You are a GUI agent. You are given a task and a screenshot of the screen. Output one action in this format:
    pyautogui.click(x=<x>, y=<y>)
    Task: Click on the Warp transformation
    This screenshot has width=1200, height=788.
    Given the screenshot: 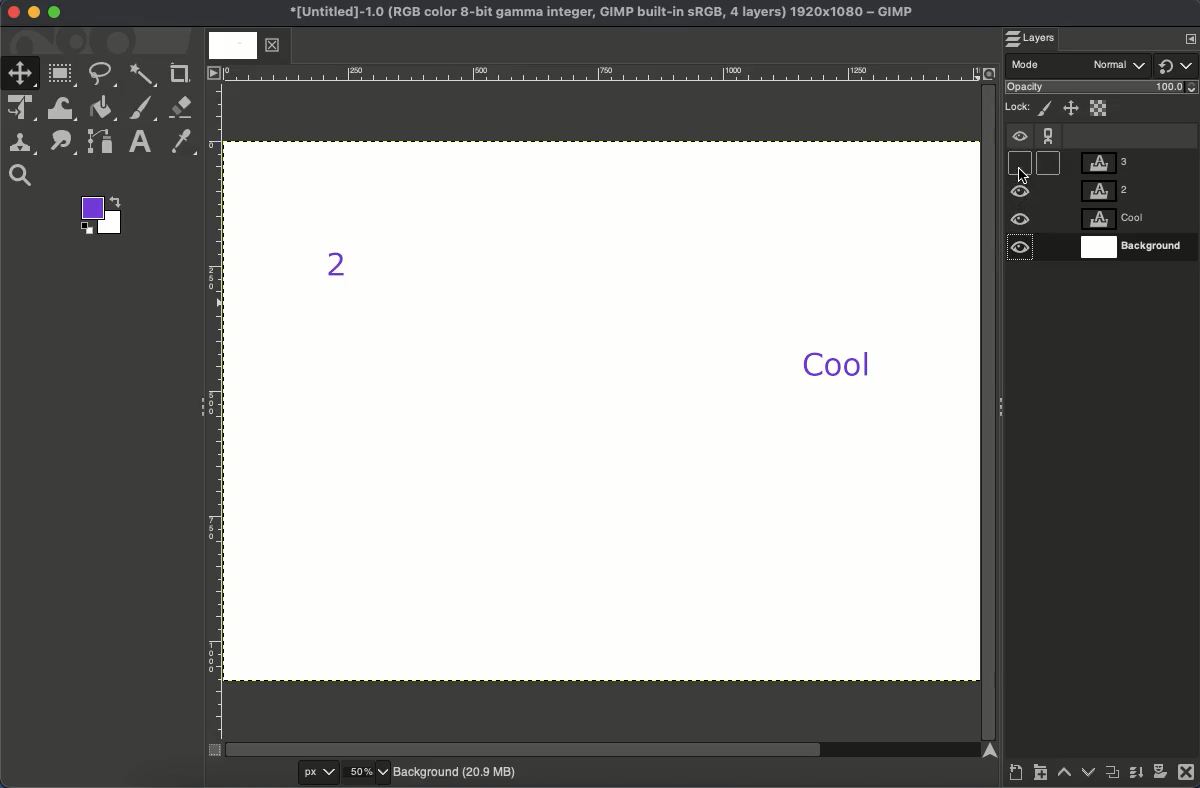 What is the action you would take?
    pyautogui.click(x=63, y=110)
    